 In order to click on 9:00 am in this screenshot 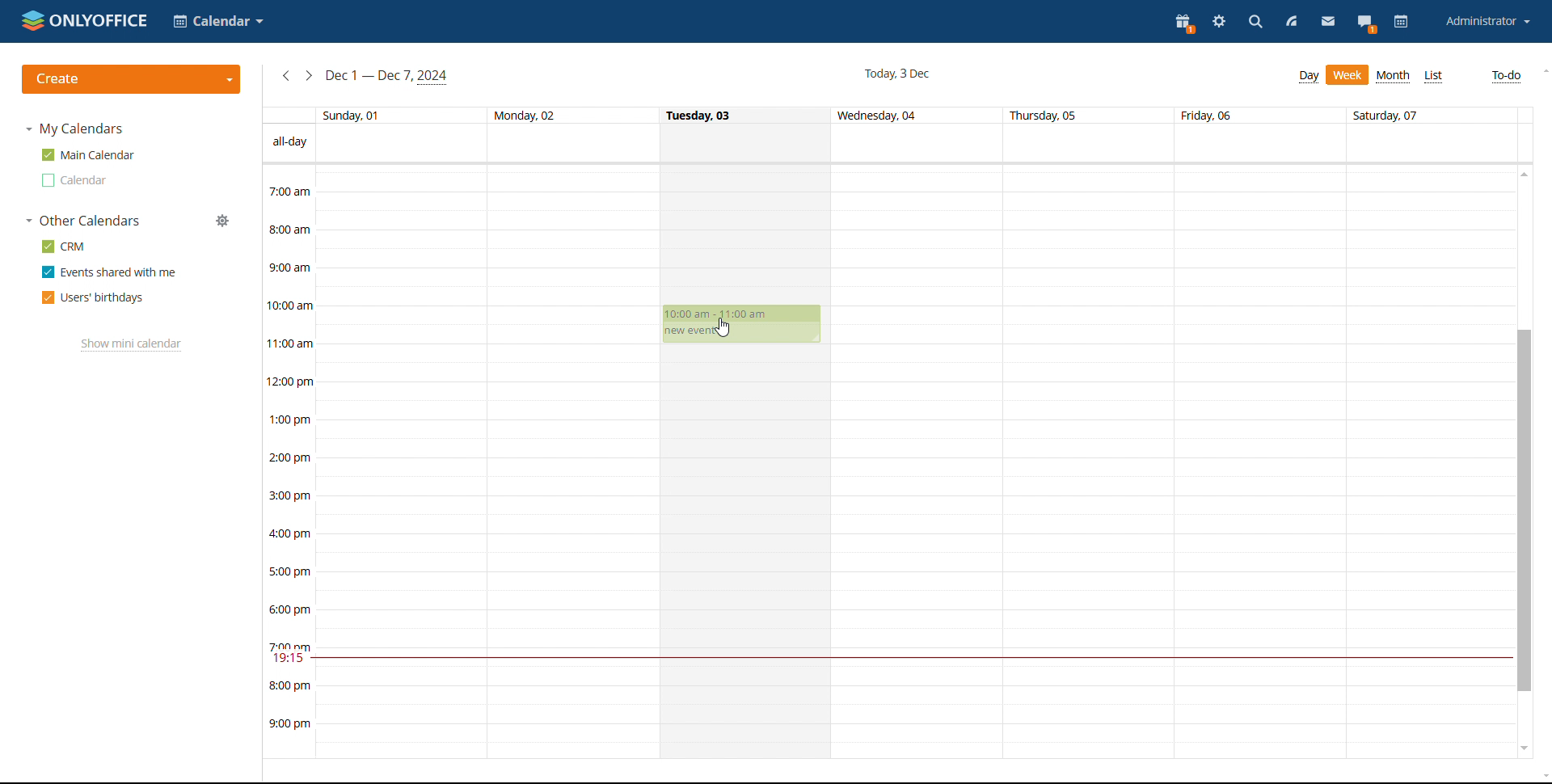, I will do `click(289, 266)`.